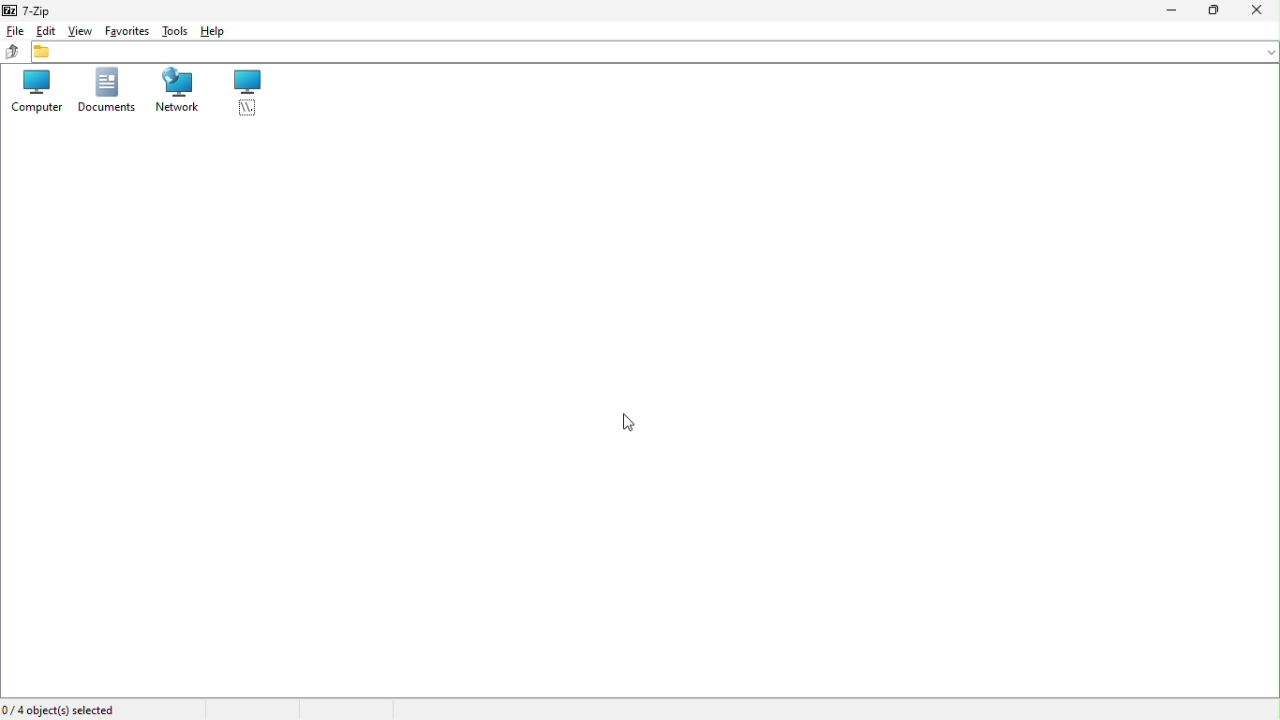 The image size is (1280, 720). I want to click on Favourite, so click(130, 29).